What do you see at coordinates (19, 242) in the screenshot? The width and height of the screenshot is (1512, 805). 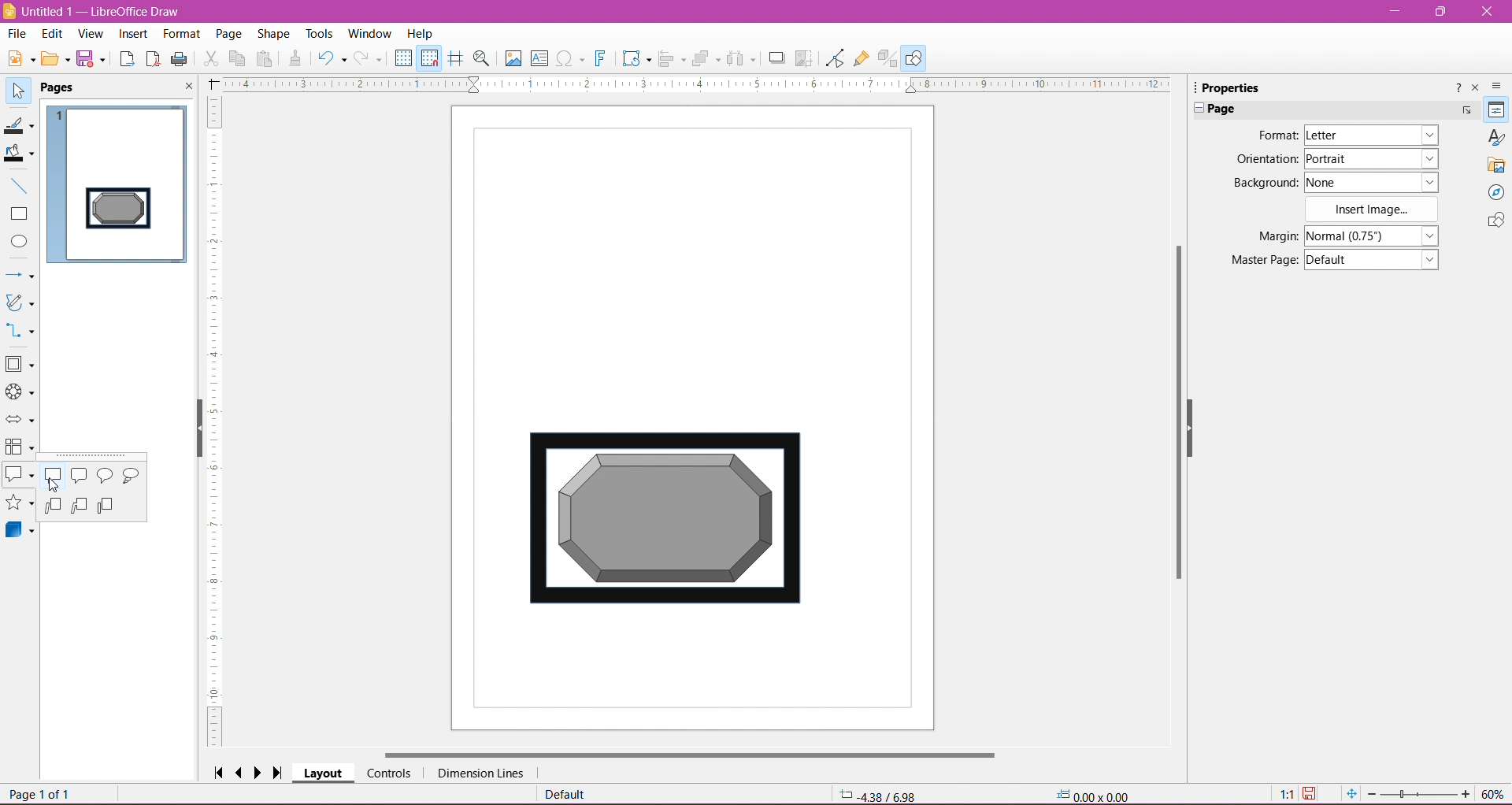 I see `Elipse` at bounding box center [19, 242].